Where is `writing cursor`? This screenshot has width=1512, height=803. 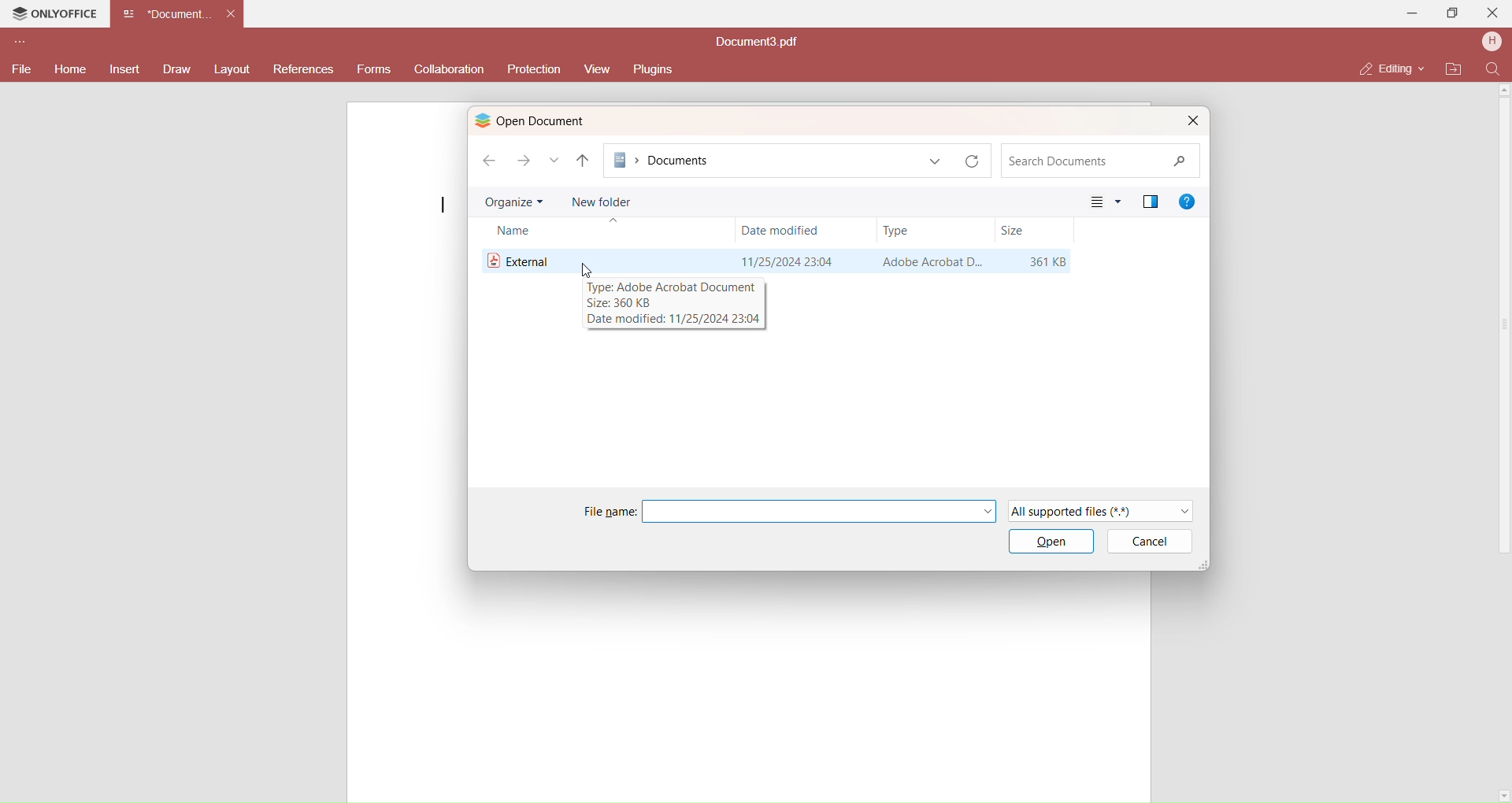 writing cursor is located at coordinates (443, 205).